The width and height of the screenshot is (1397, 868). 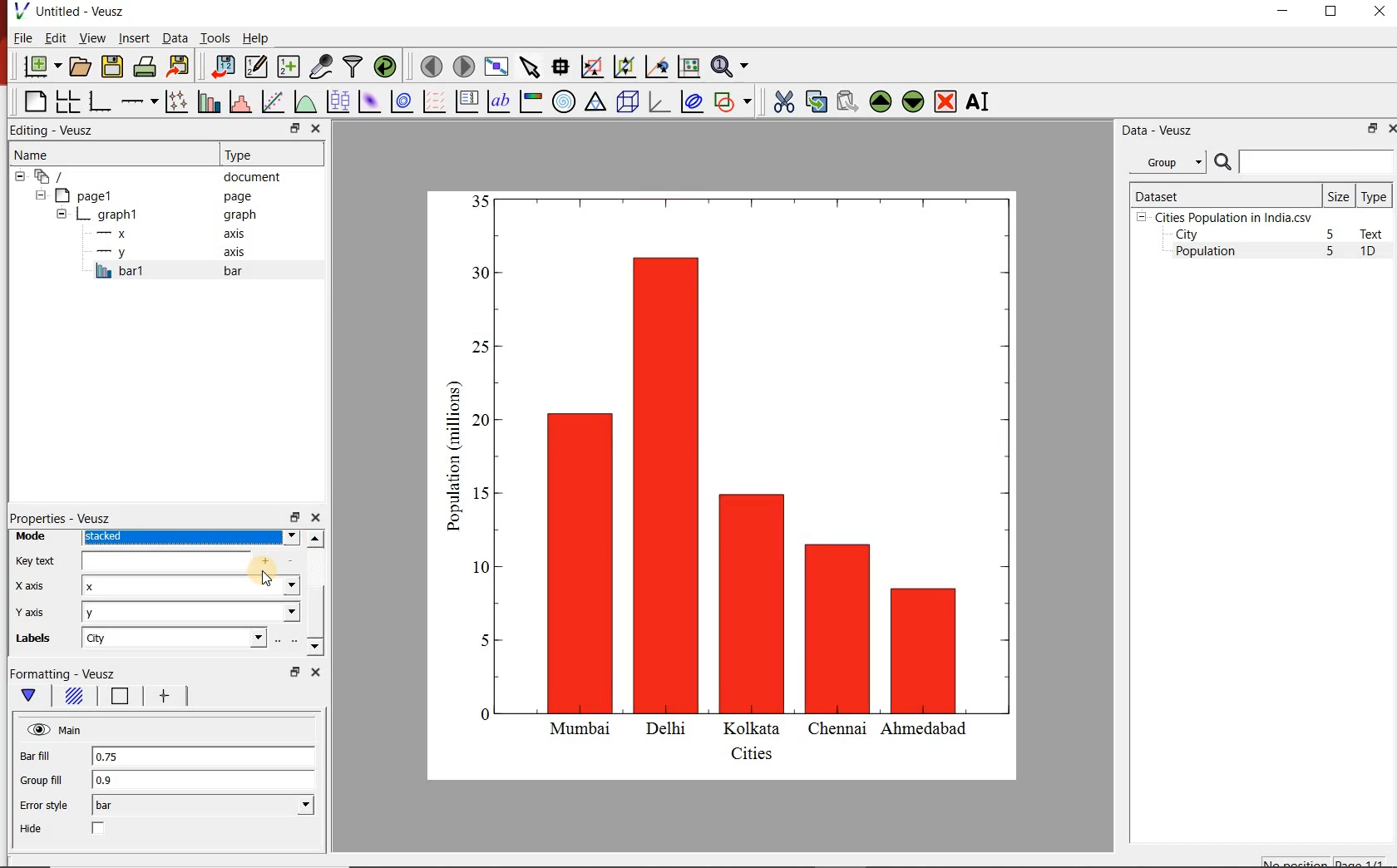 What do you see at coordinates (238, 101) in the screenshot?
I see `histogram of a dataset` at bounding box center [238, 101].